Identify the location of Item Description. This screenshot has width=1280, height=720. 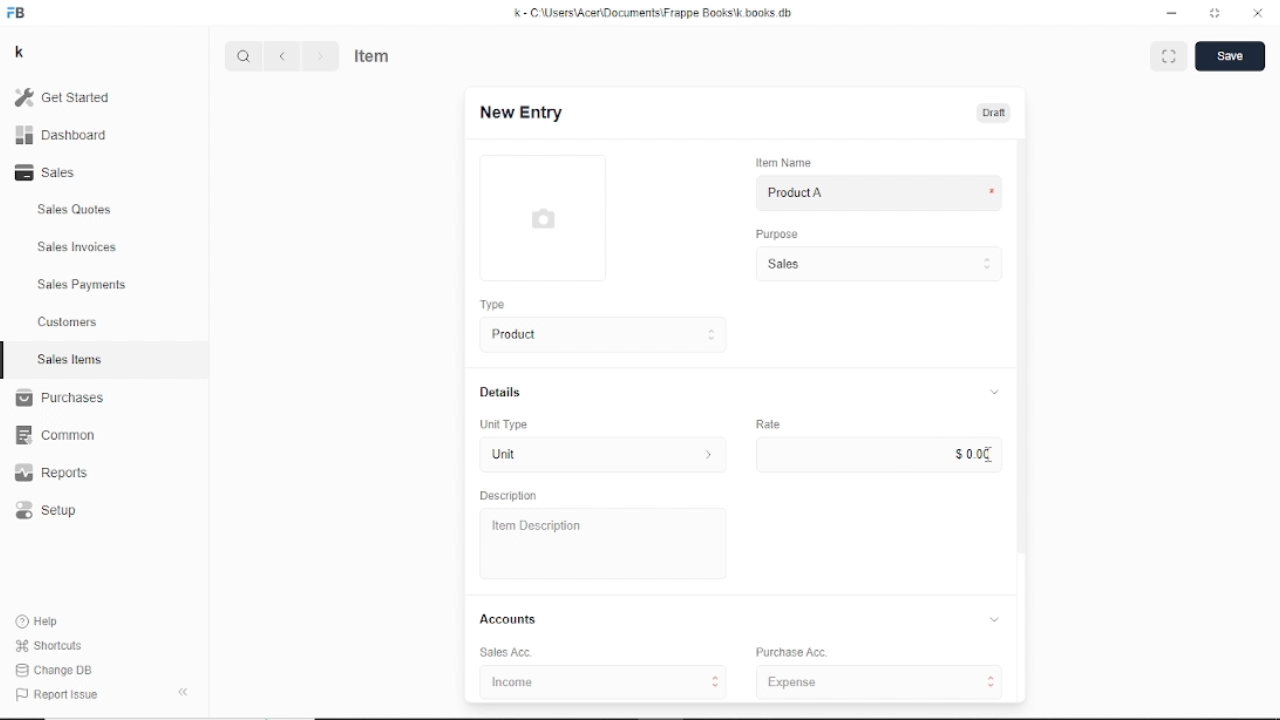
(532, 526).